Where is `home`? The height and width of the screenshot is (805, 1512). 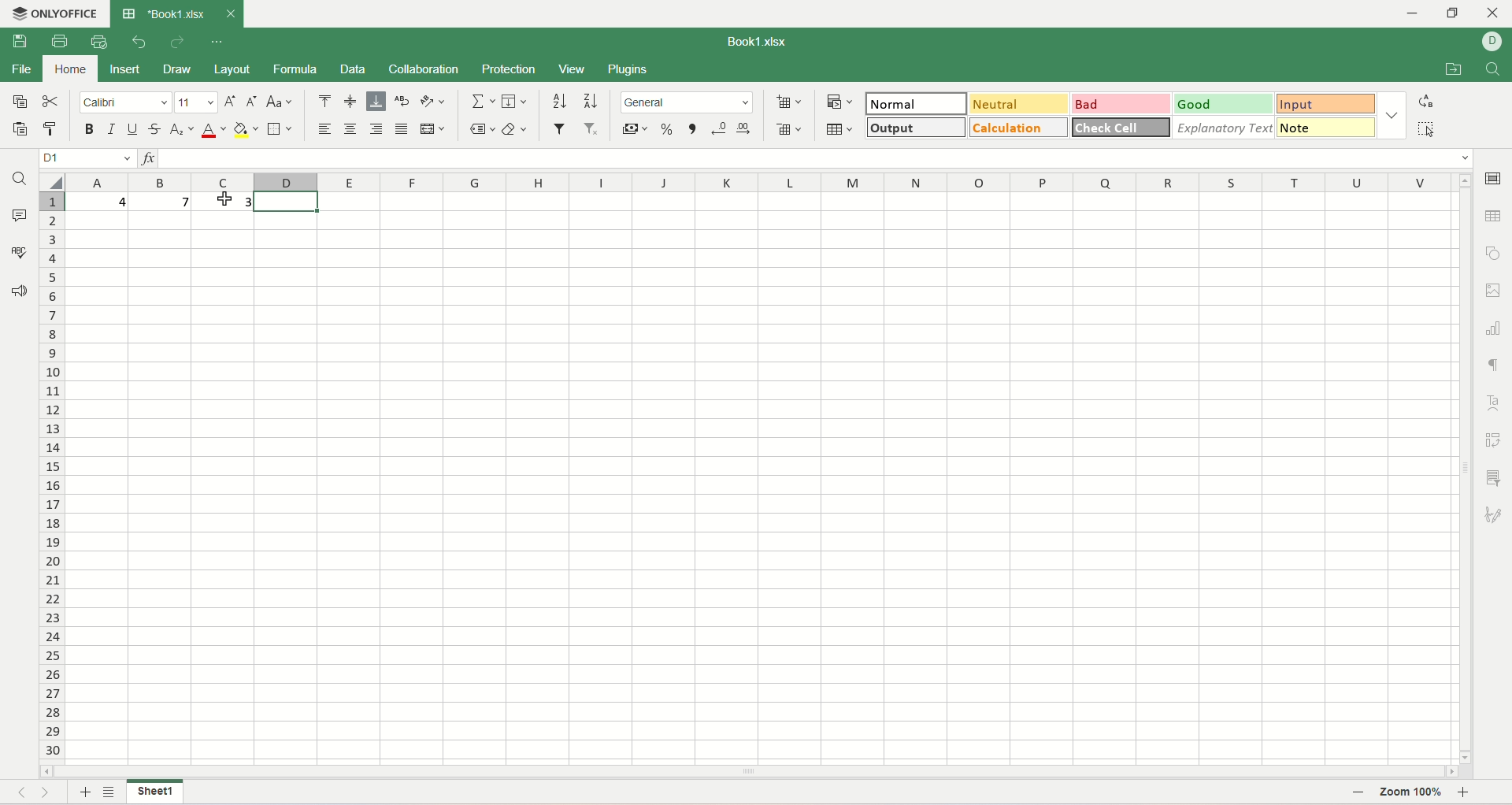
home is located at coordinates (69, 69).